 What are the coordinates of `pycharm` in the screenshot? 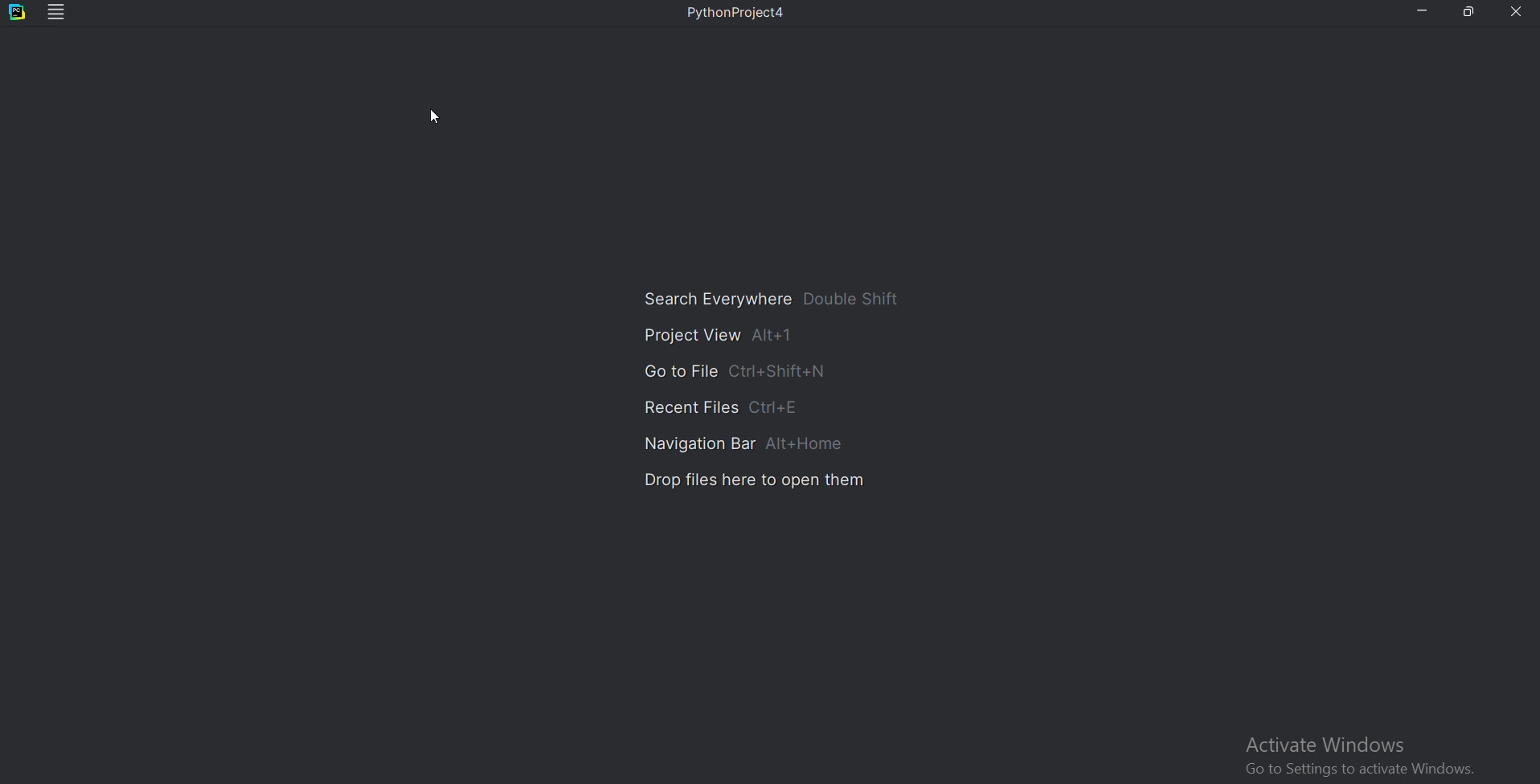 It's located at (18, 14).